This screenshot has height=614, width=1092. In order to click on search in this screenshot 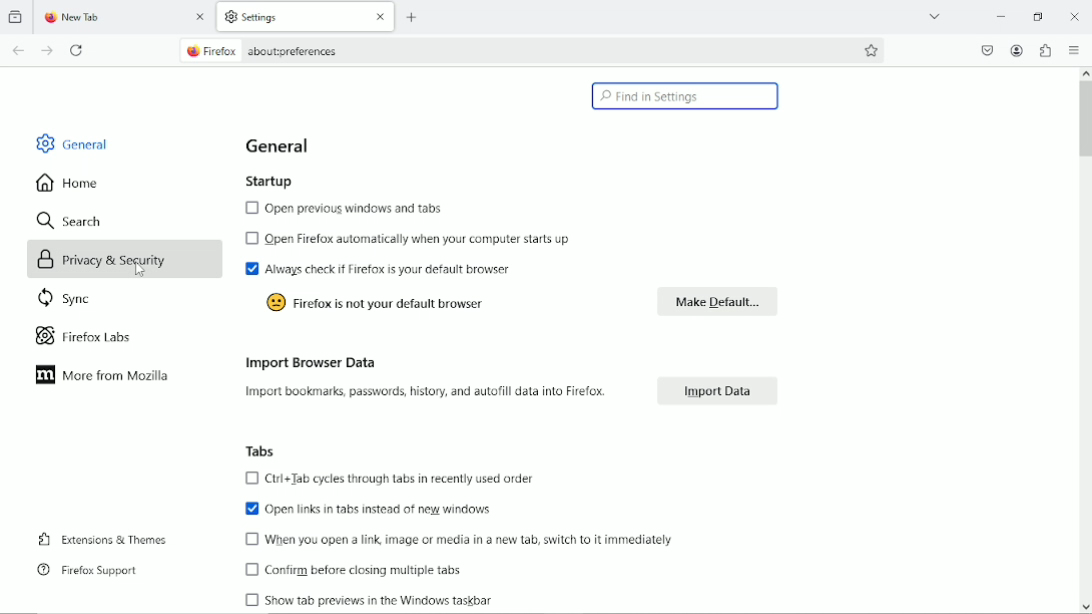, I will do `click(70, 220)`.